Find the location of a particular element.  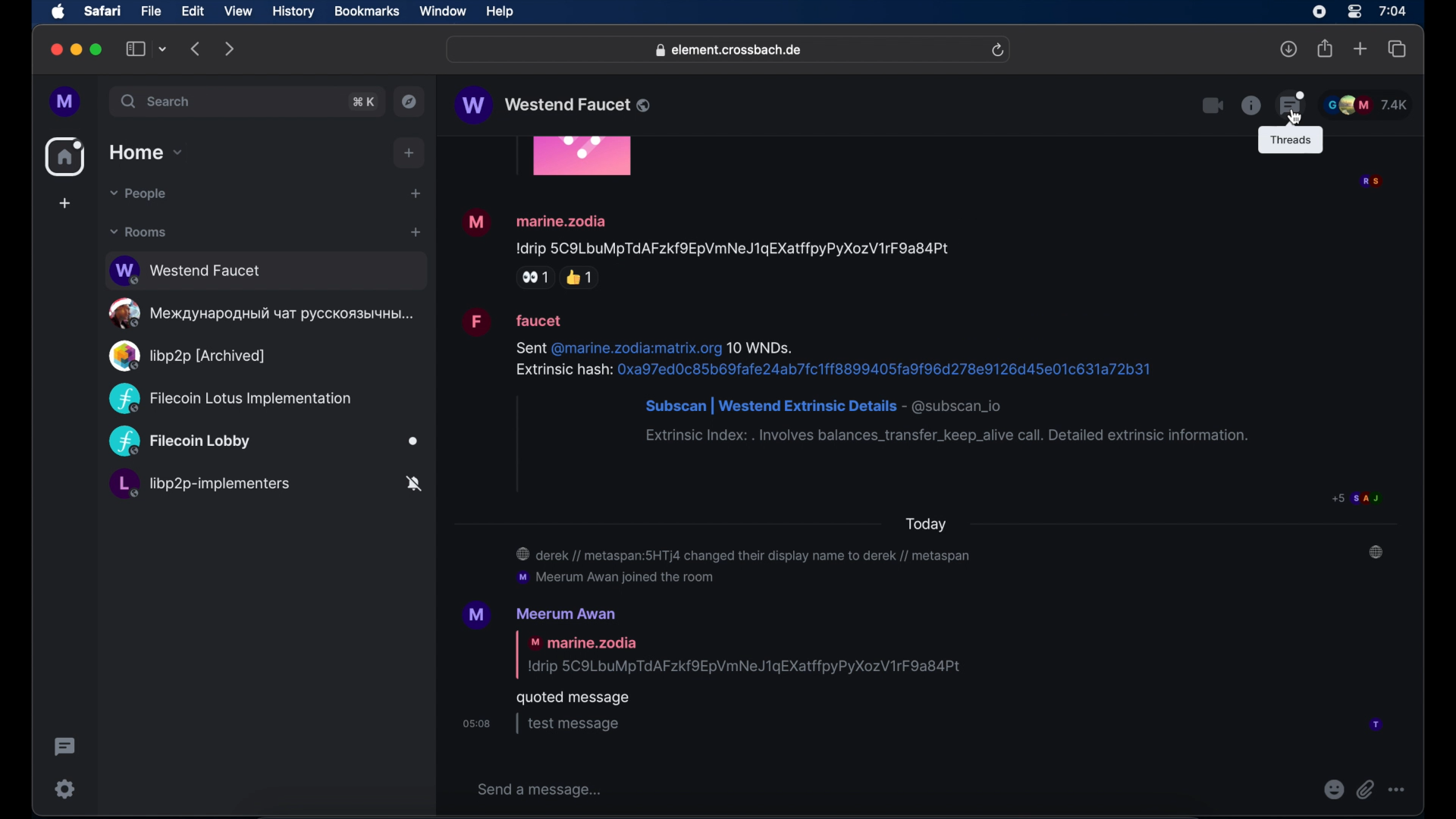

chat info is located at coordinates (1251, 105).